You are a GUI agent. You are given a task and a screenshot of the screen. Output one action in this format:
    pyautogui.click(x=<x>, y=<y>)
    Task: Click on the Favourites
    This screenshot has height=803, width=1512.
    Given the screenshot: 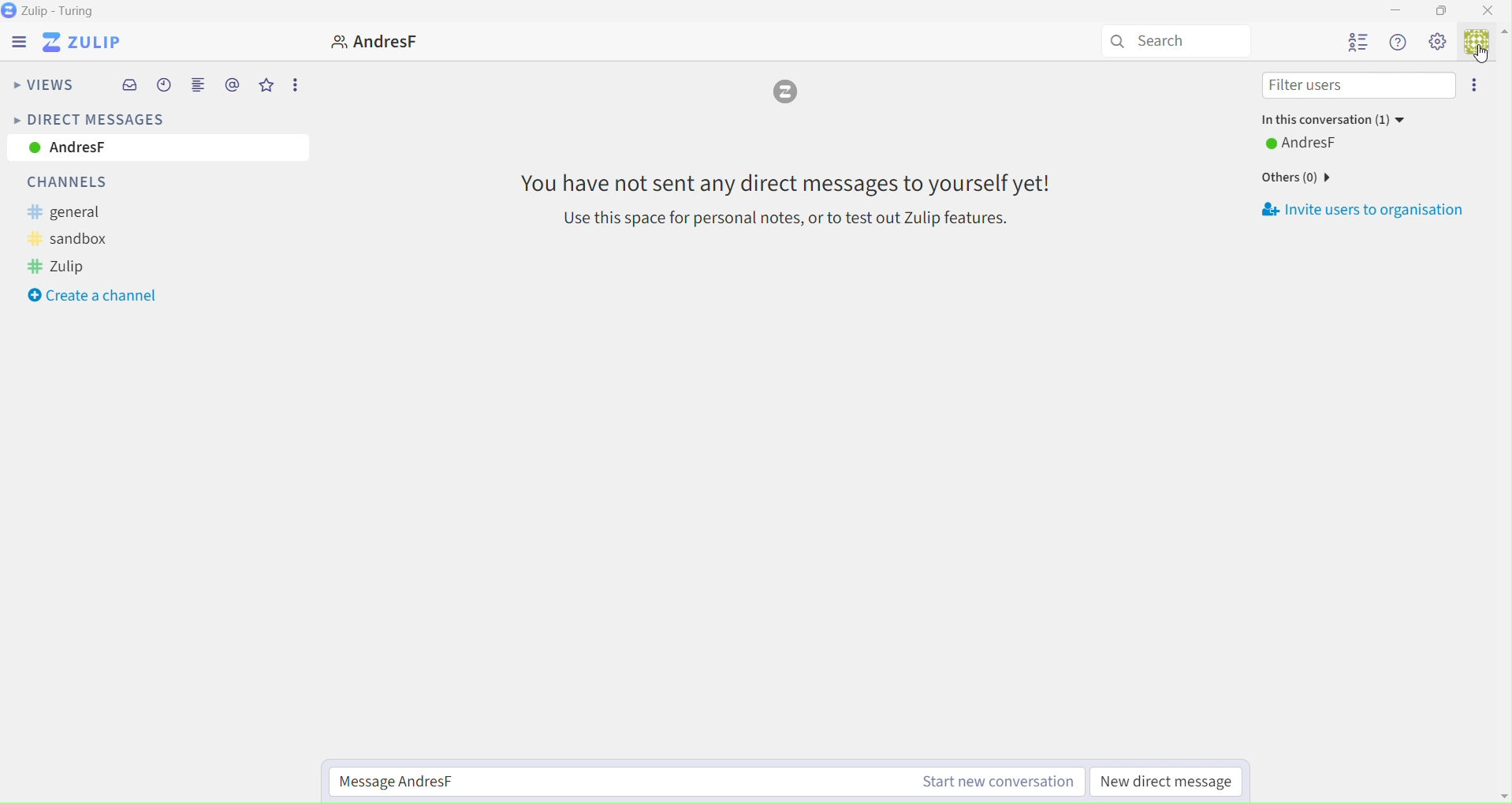 What is the action you would take?
    pyautogui.click(x=266, y=86)
    